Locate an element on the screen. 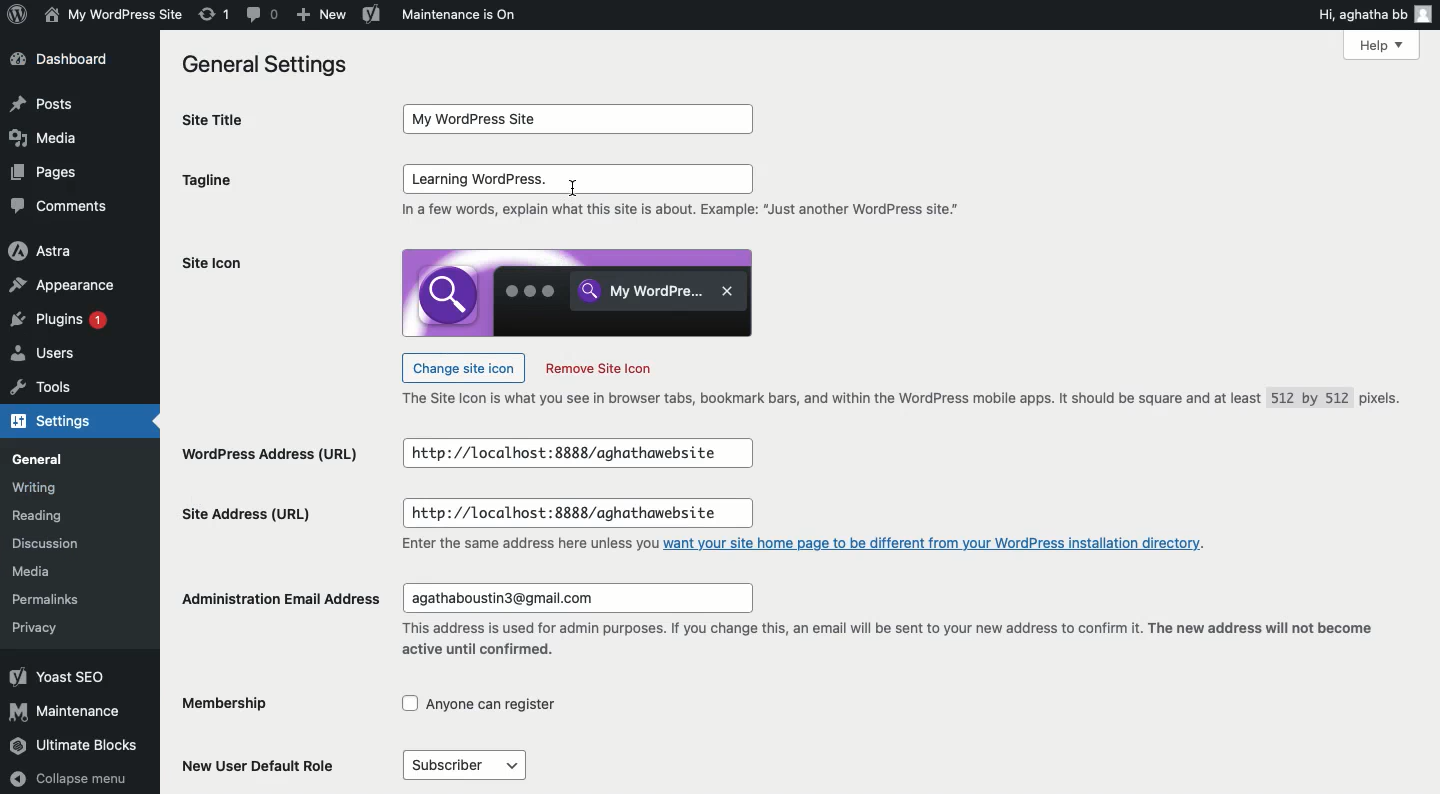 The image size is (1440, 794). Revision is located at coordinates (215, 14).